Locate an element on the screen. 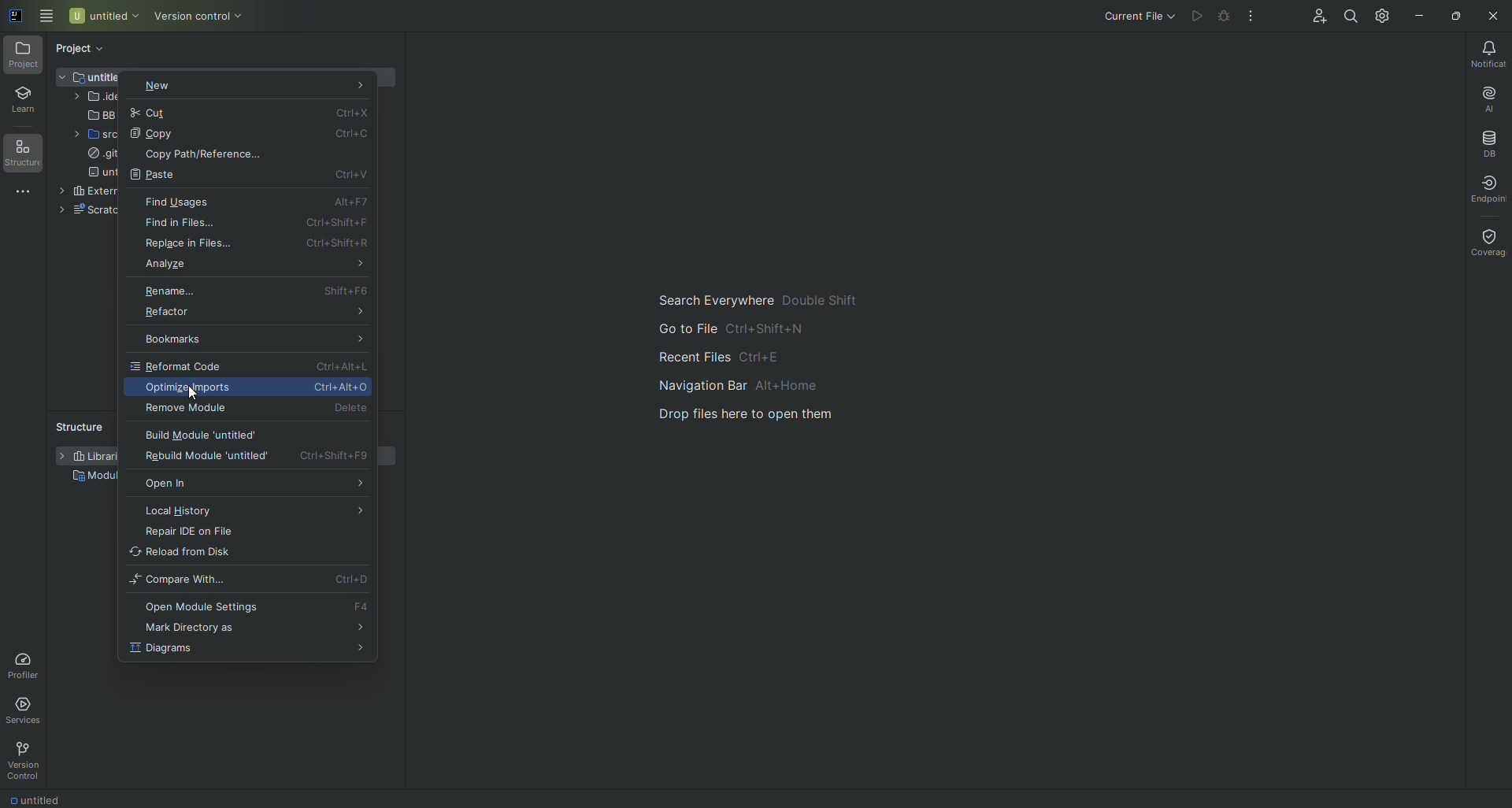  Rename is located at coordinates (258, 294).